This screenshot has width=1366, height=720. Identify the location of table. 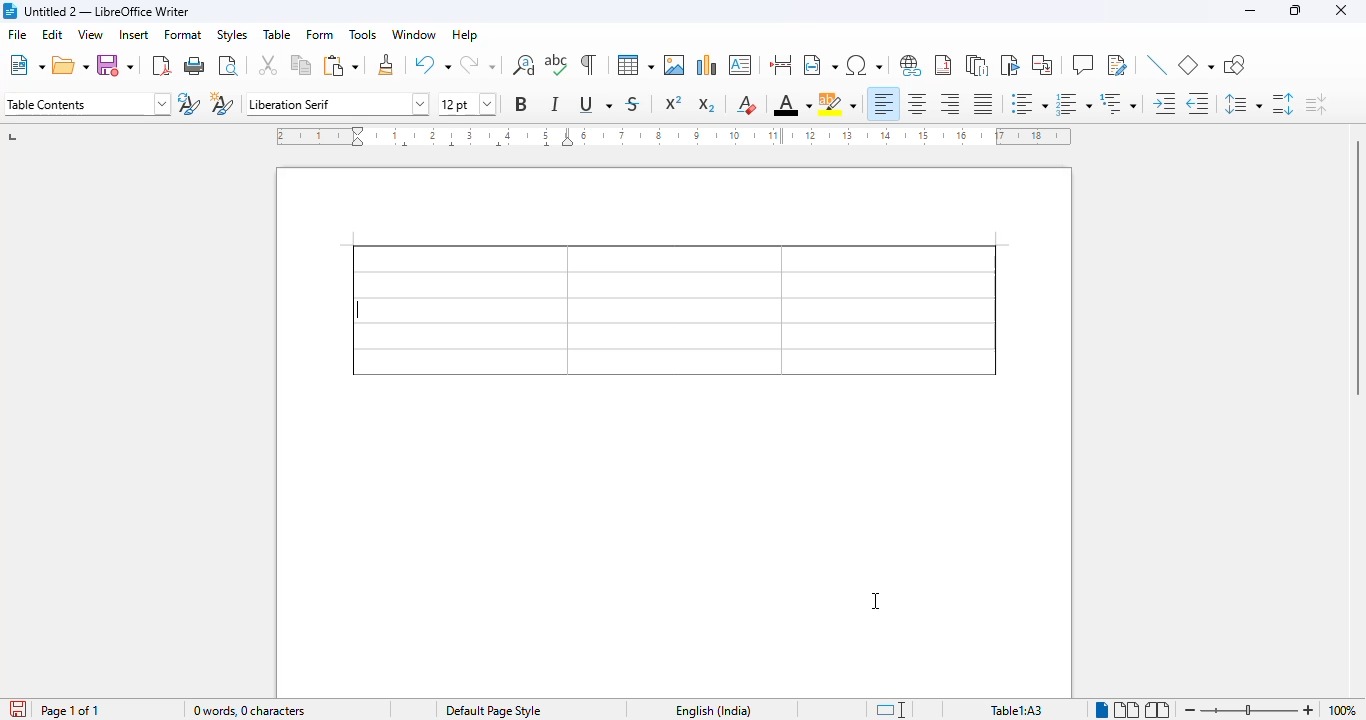
(635, 65).